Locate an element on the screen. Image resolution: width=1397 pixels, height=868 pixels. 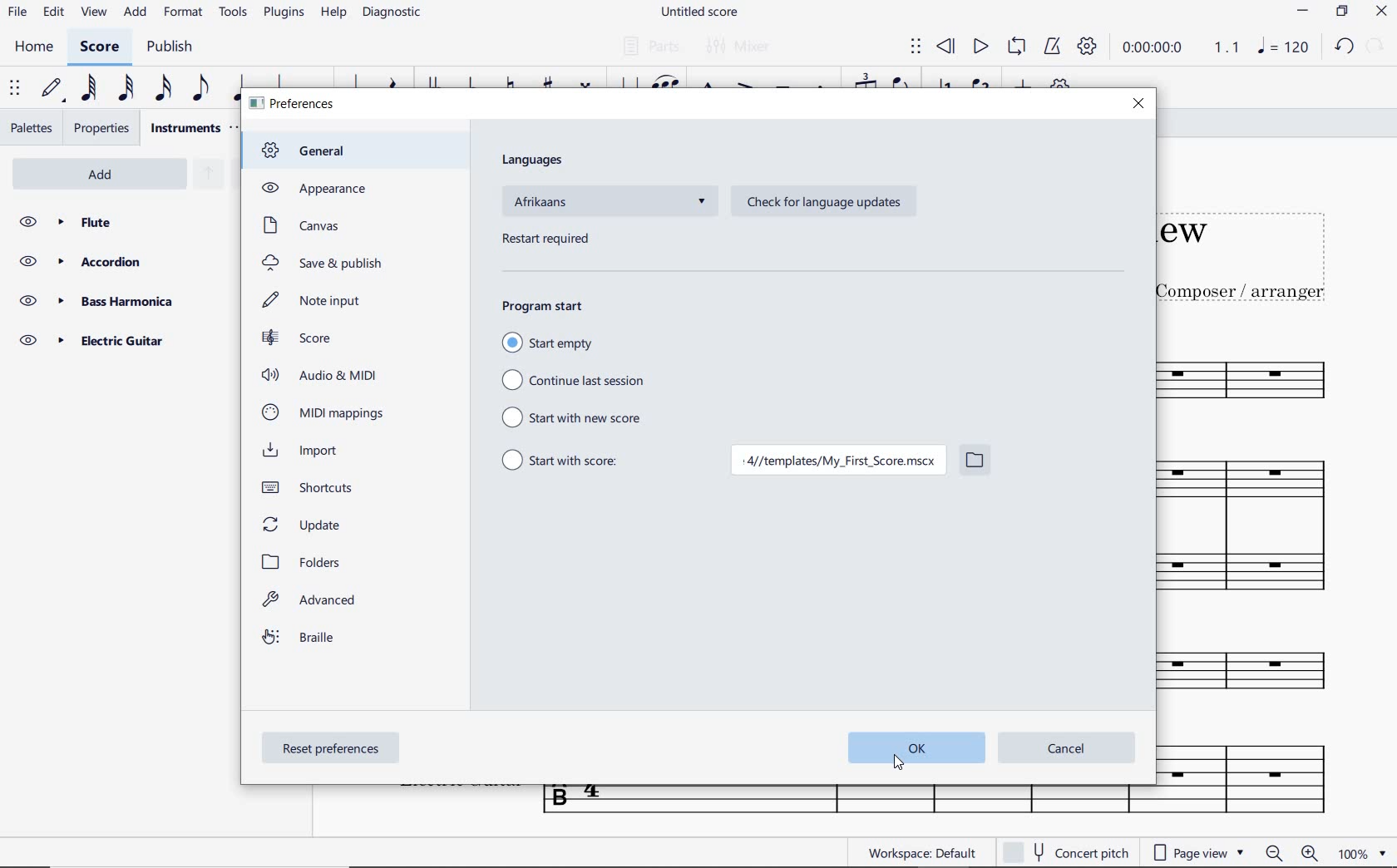
select to move is located at coordinates (17, 89).